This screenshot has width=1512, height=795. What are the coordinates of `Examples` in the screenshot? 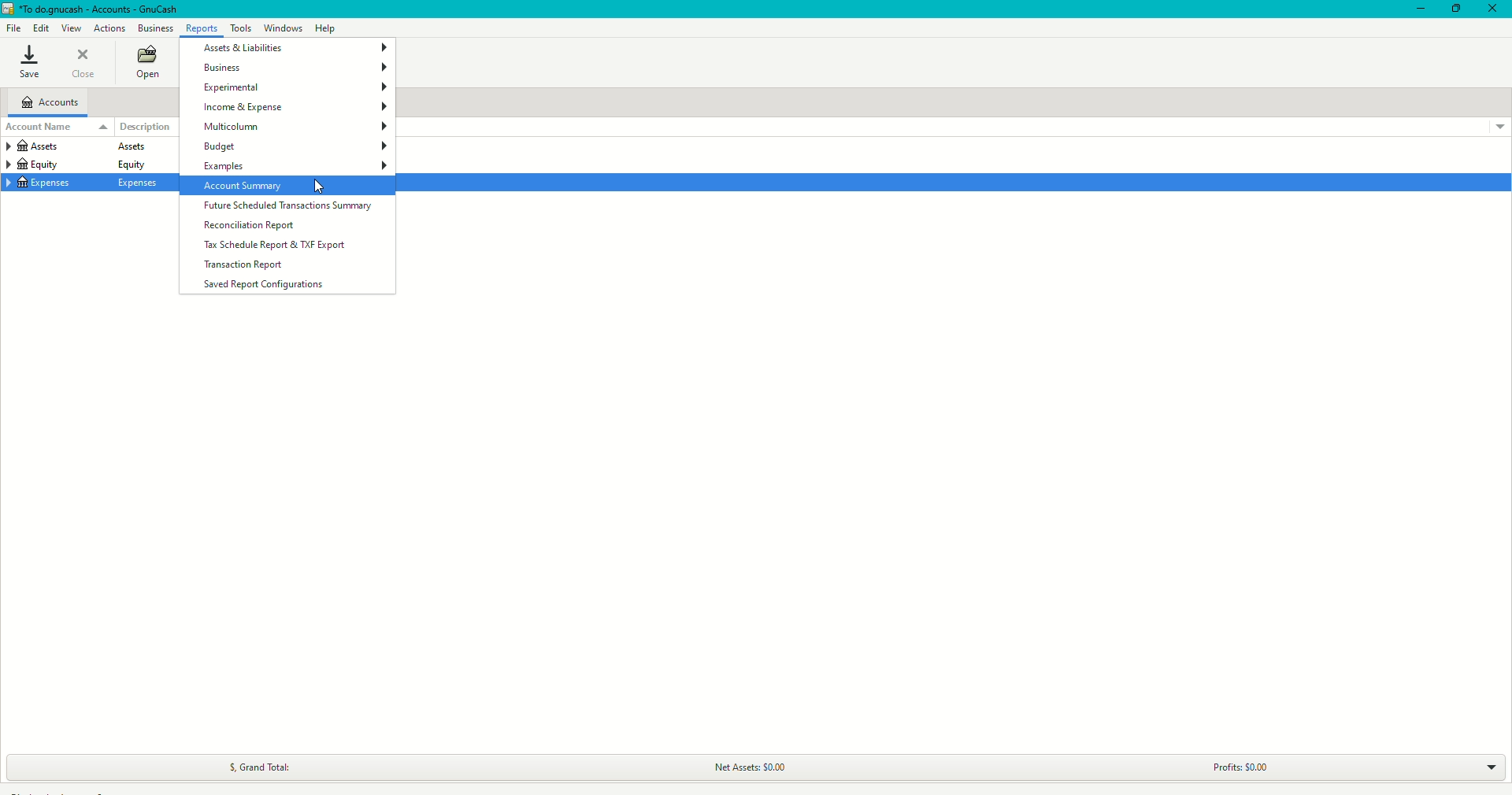 It's located at (296, 167).